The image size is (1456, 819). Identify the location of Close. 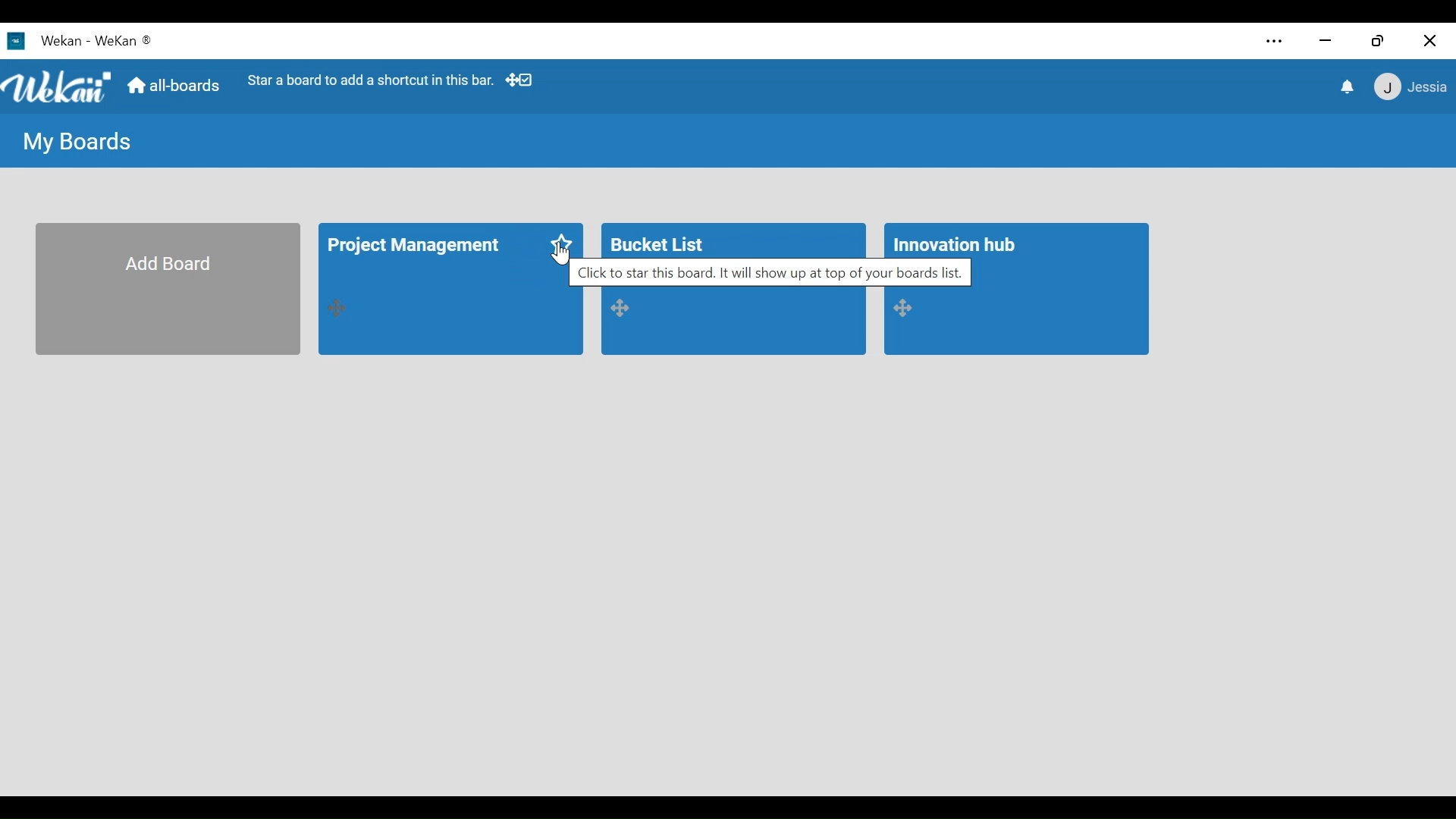
(1428, 41).